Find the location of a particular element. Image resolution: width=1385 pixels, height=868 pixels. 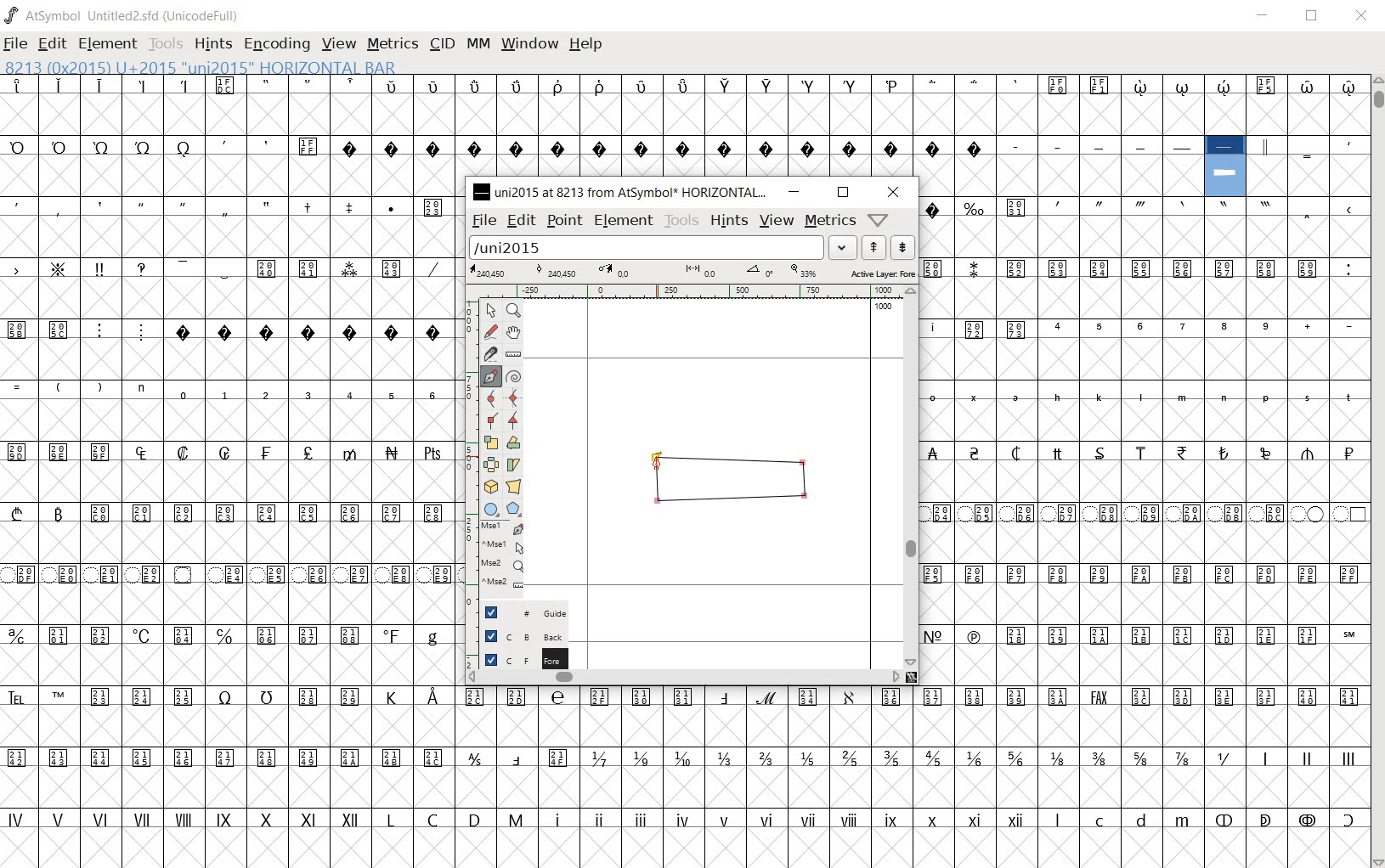

HINTS is located at coordinates (215, 44).